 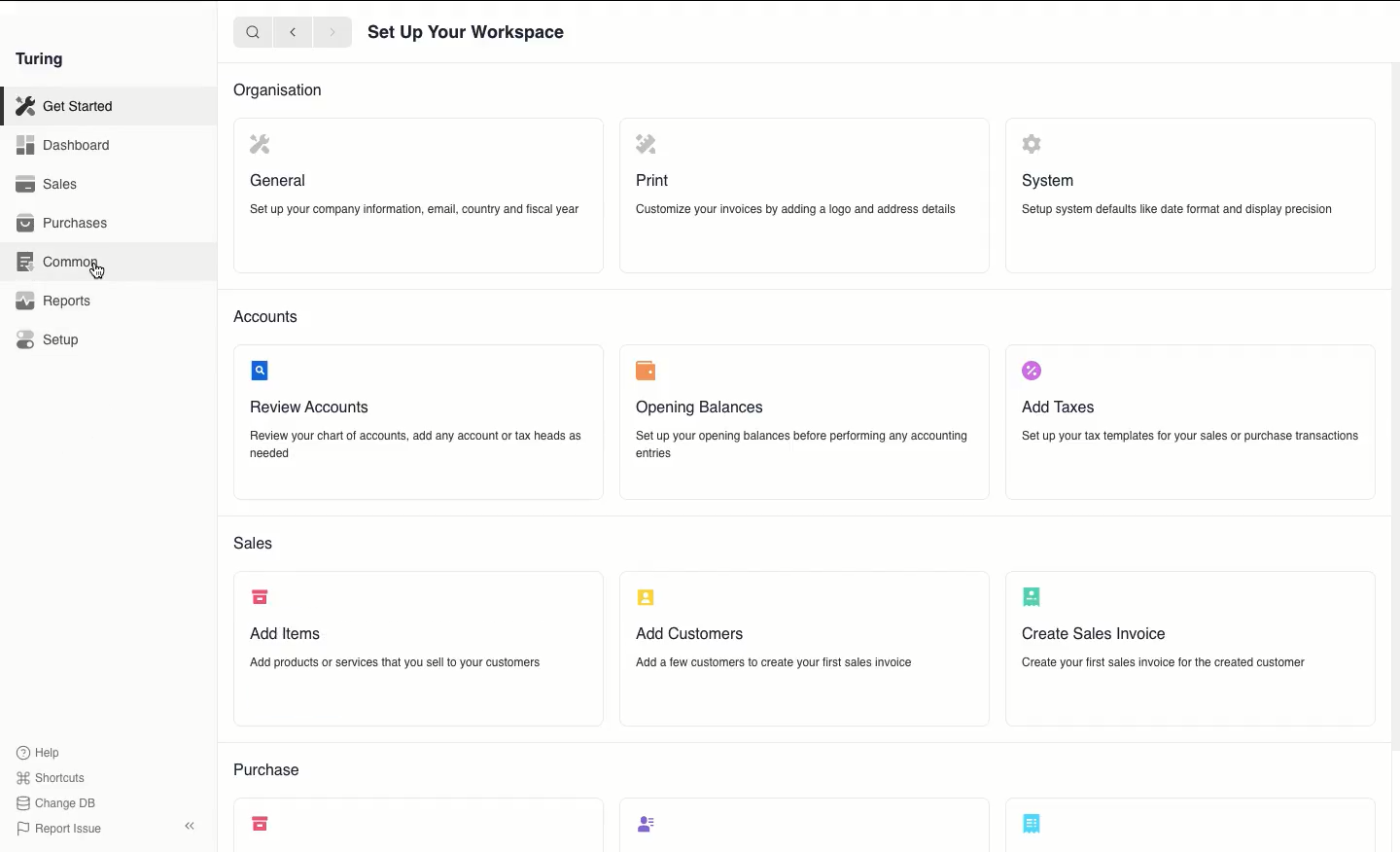 What do you see at coordinates (53, 778) in the screenshot?
I see `Shortcuts` at bounding box center [53, 778].